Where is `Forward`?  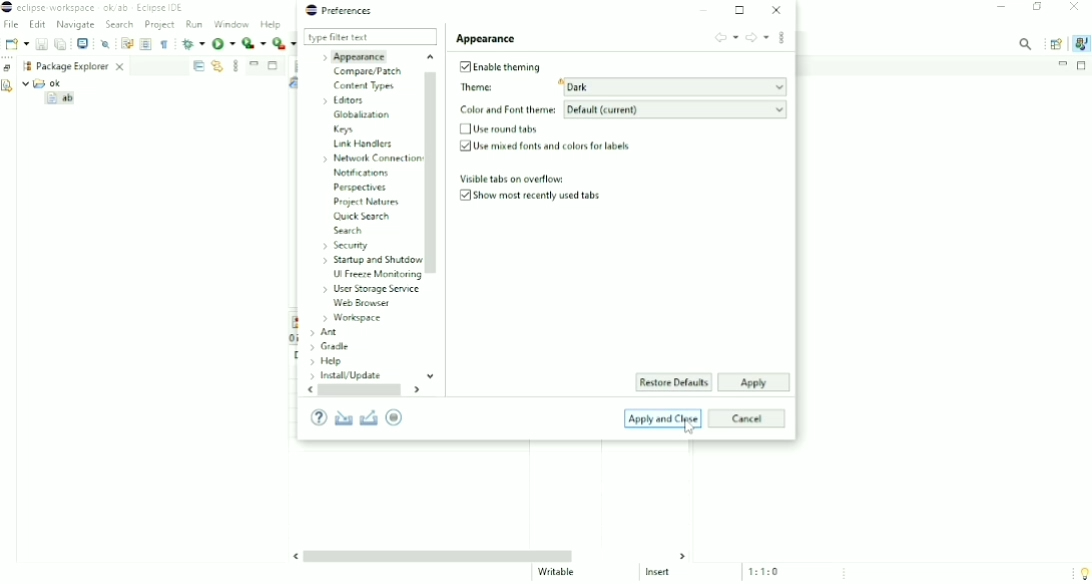
Forward is located at coordinates (756, 38).